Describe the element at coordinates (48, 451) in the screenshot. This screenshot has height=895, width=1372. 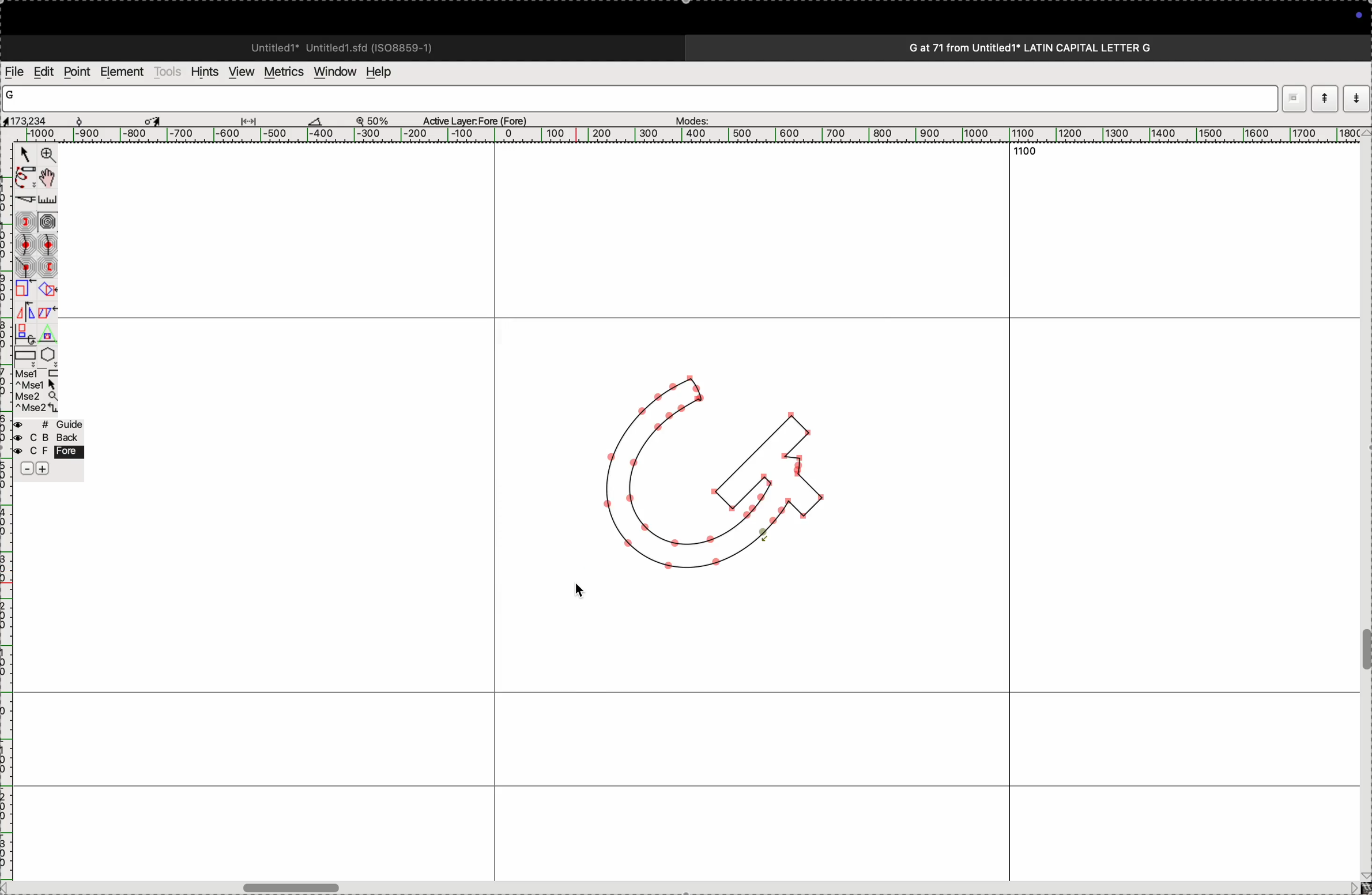
I see `fore layer` at that location.